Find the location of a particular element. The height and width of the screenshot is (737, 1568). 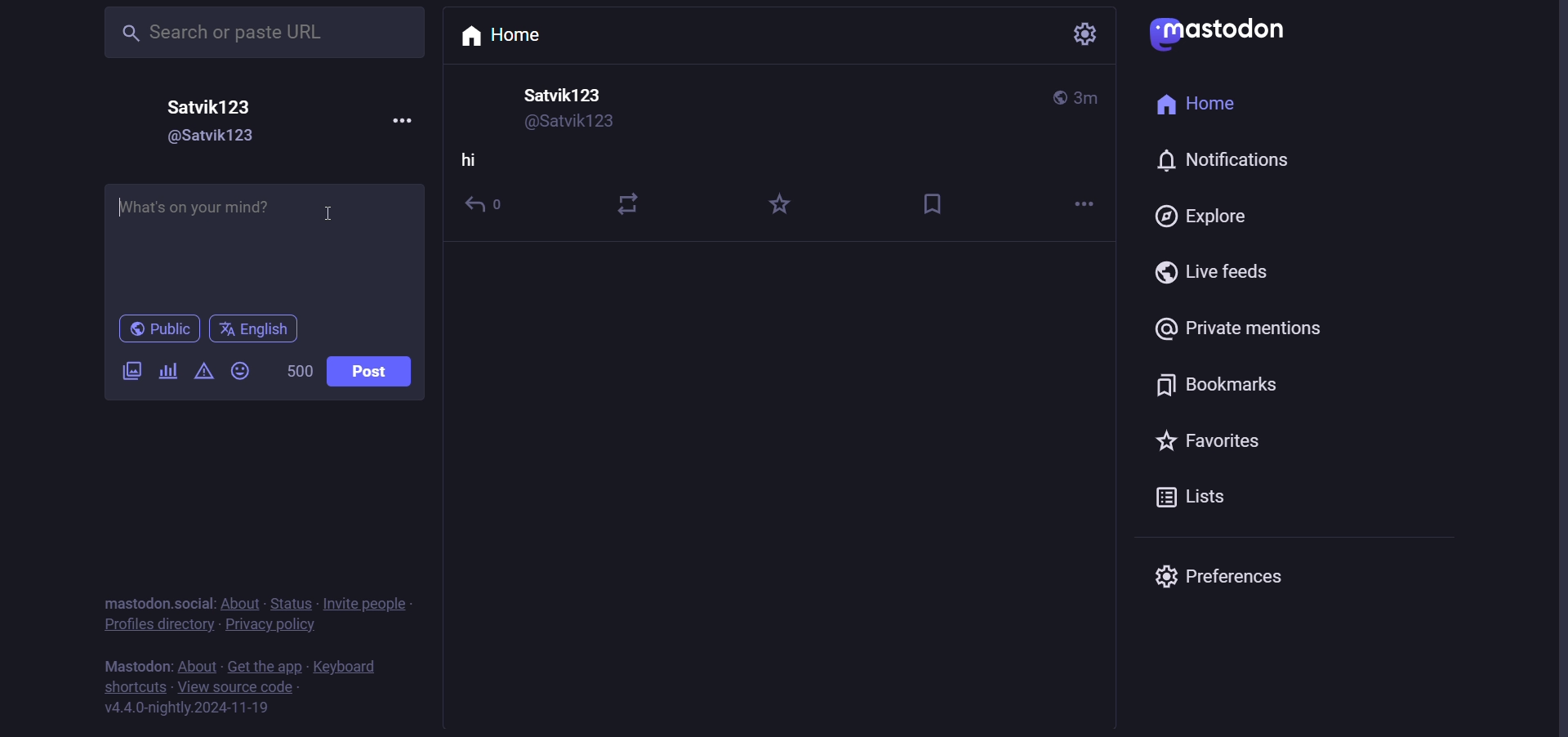

bookmark is located at coordinates (1223, 386).